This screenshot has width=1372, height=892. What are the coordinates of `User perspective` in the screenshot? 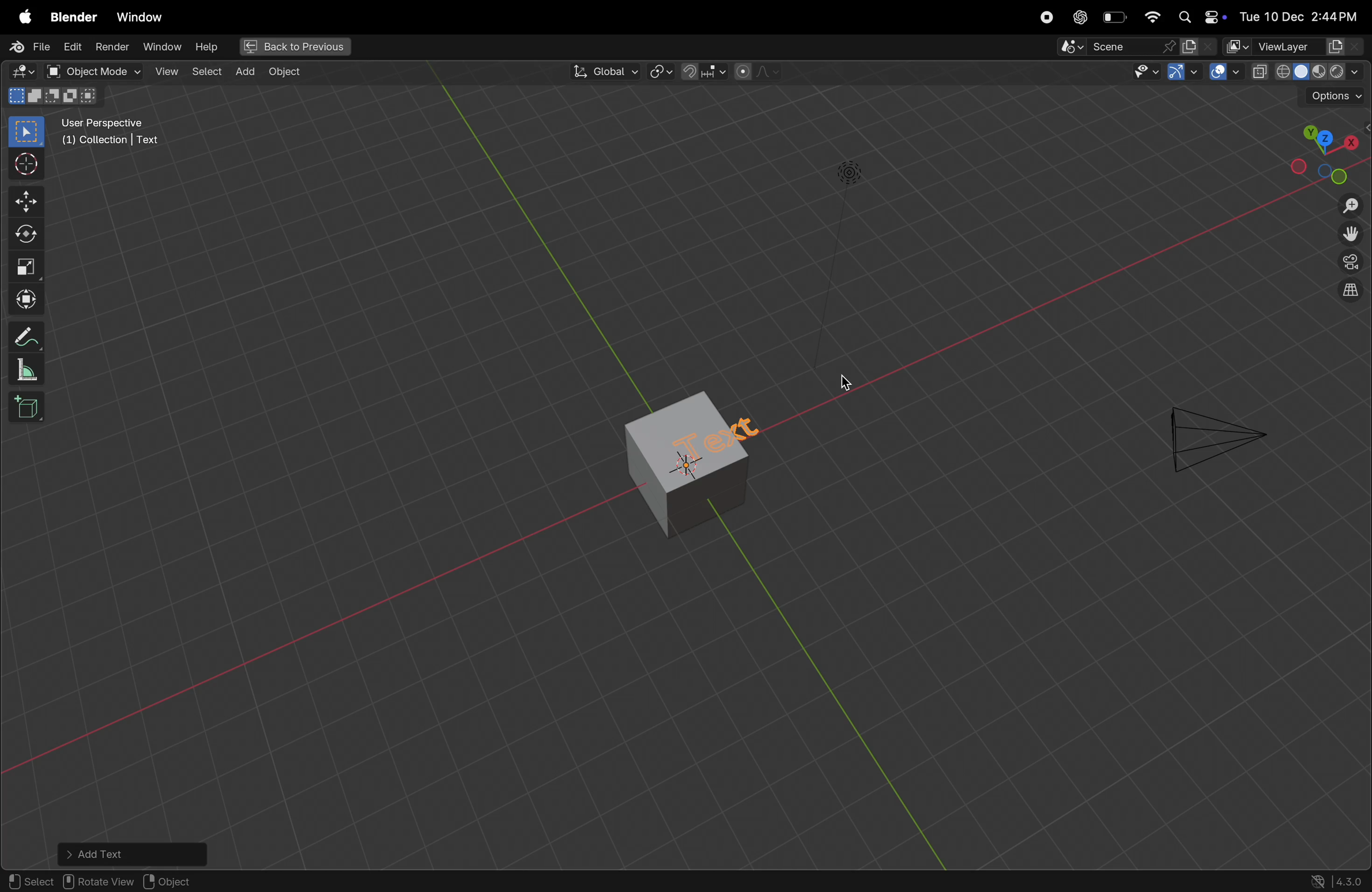 It's located at (128, 137).